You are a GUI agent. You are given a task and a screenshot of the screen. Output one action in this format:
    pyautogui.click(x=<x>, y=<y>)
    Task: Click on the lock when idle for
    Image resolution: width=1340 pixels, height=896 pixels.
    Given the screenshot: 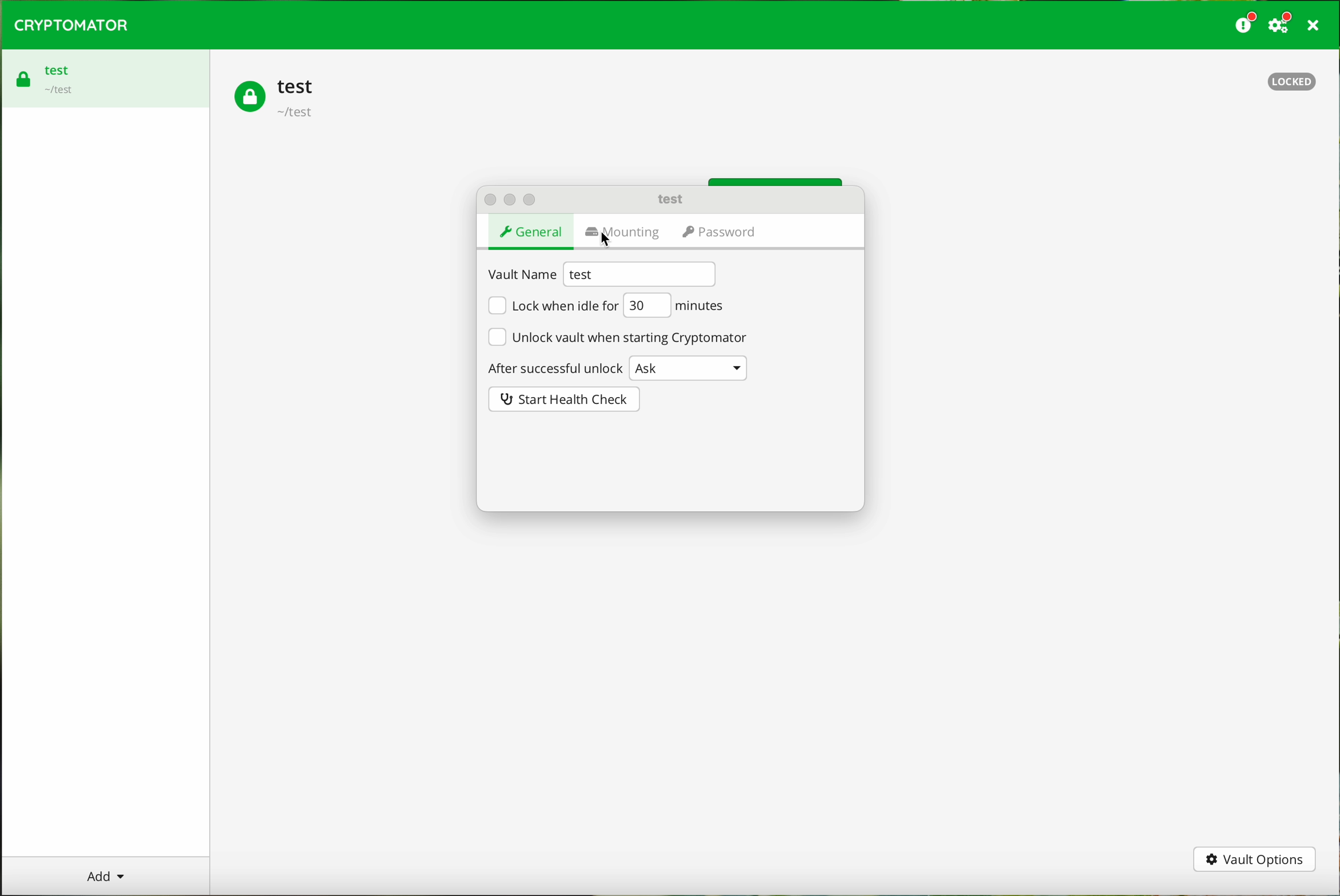 What is the action you would take?
    pyautogui.click(x=554, y=307)
    